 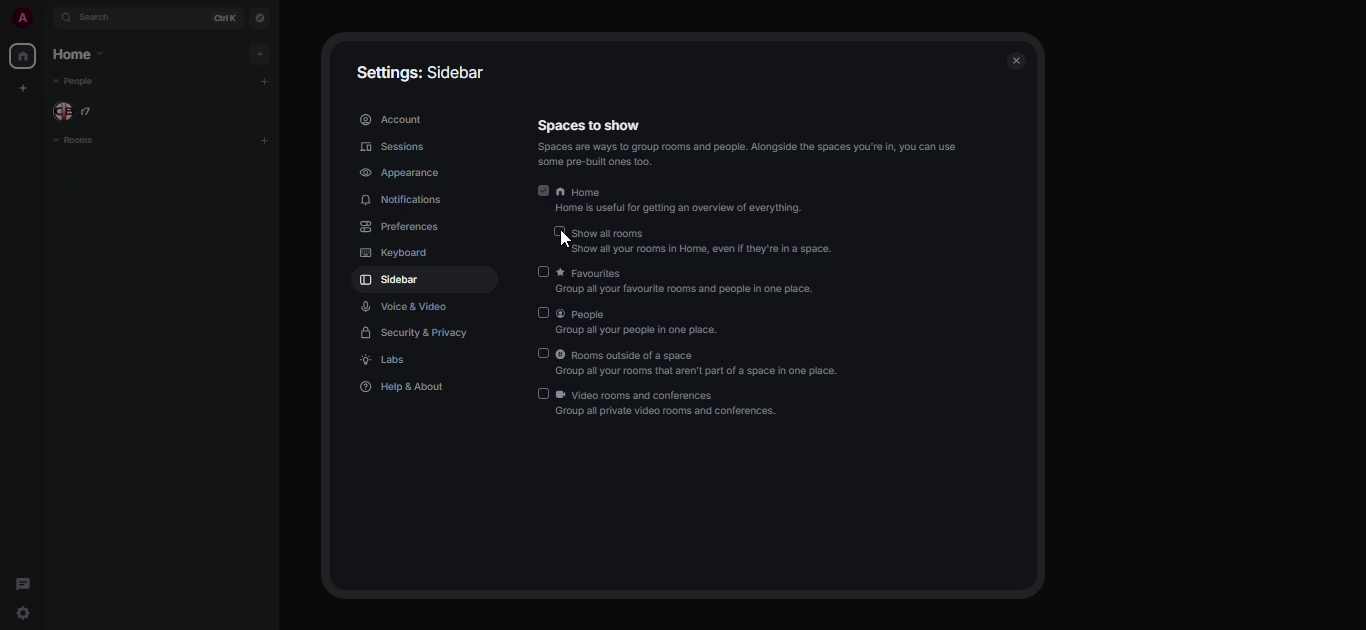 I want to click on appearance, so click(x=403, y=174).